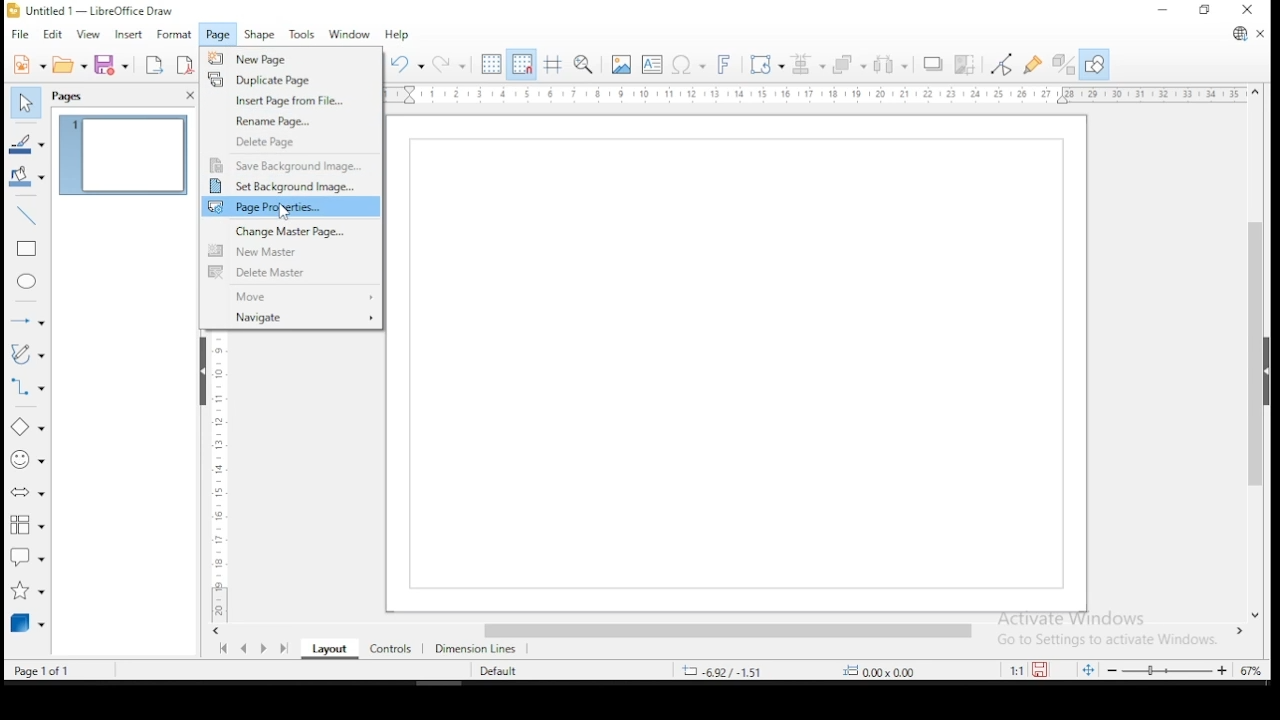 This screenshot has width=1280, height=720. I want to click on insert image, so click(621, 64).